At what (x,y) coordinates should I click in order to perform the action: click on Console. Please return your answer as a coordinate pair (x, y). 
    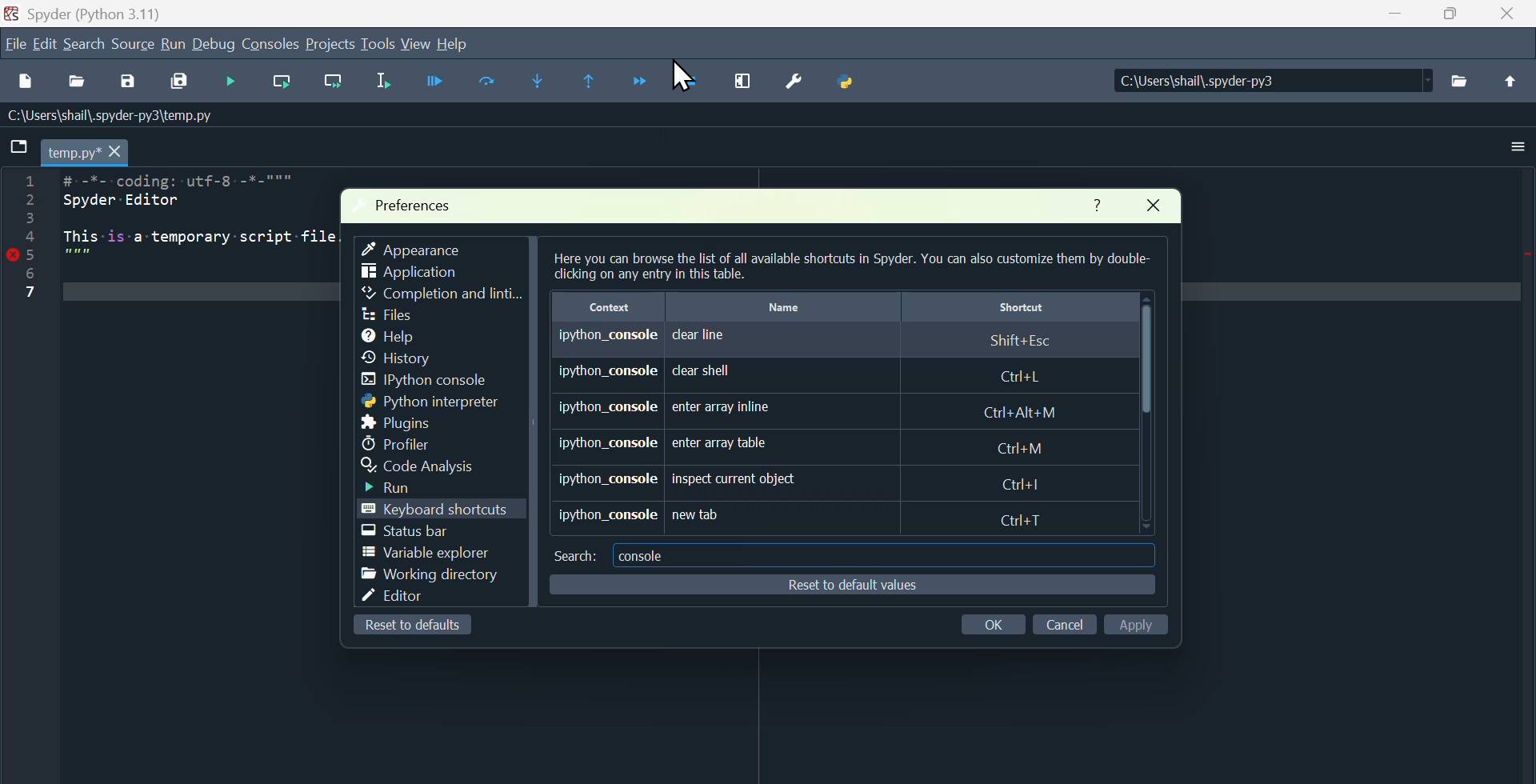
    Looking at the image, I should click on (646, 554).